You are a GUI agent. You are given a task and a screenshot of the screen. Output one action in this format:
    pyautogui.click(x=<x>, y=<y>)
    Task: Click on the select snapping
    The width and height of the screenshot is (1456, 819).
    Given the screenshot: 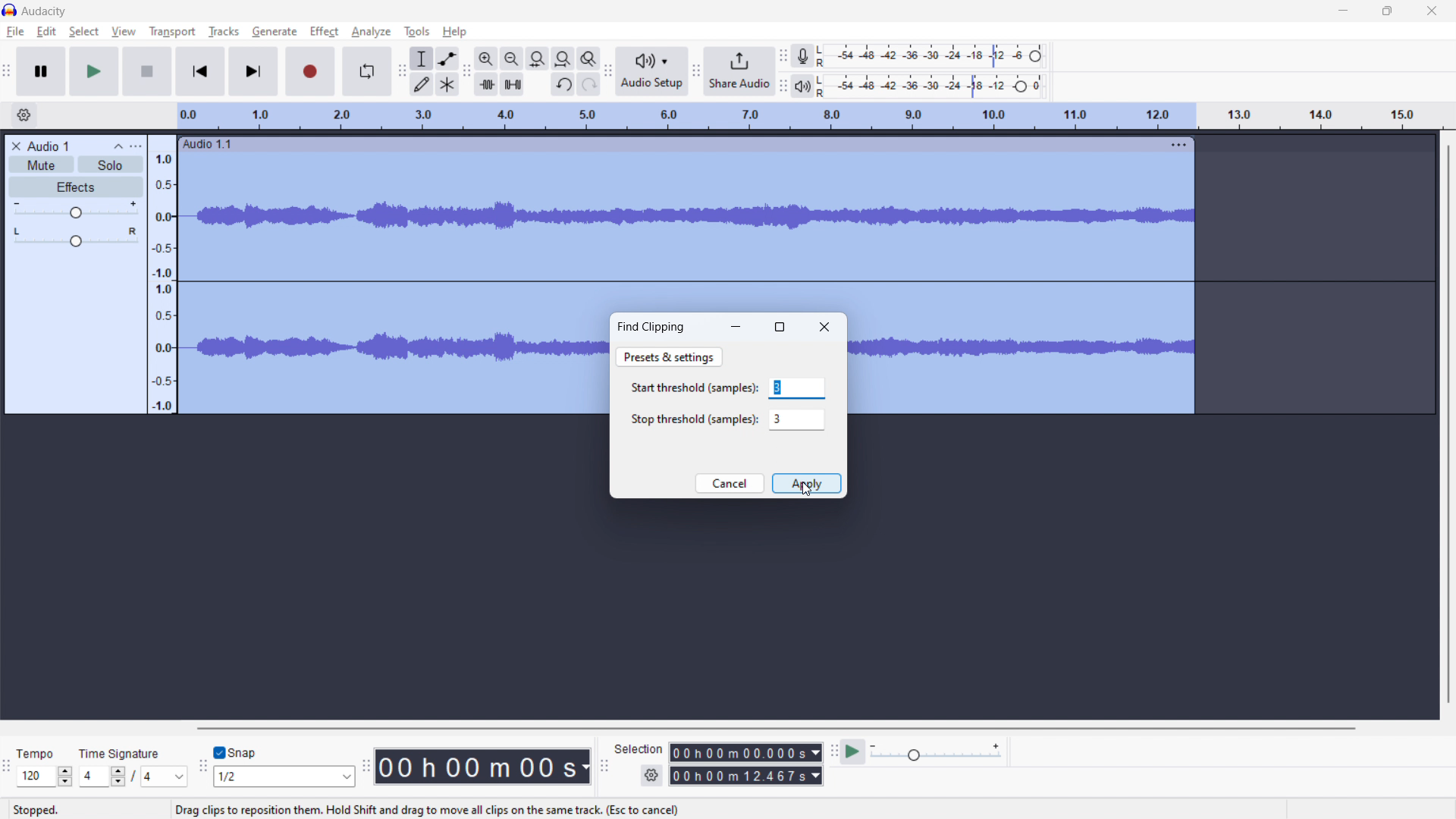 What is the action you would take?
    pyautogui.click(x=286, y=776)
    